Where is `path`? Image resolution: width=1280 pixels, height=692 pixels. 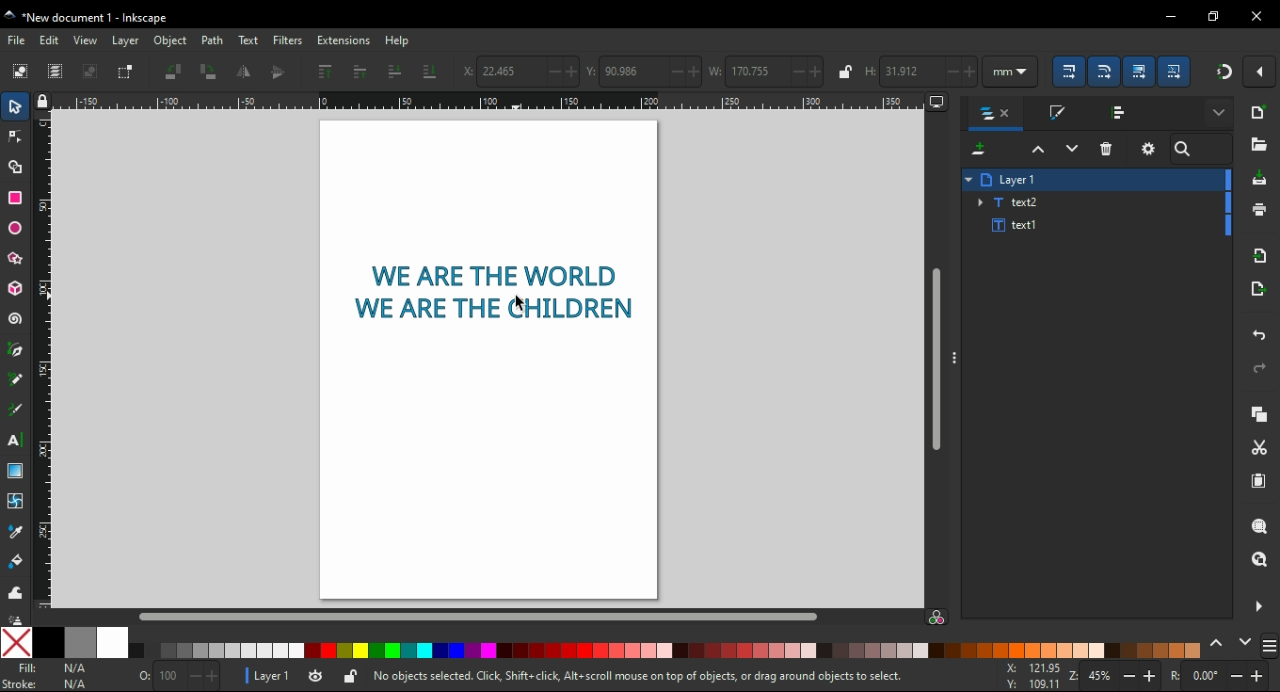 path is located at coordinates (212, 41).